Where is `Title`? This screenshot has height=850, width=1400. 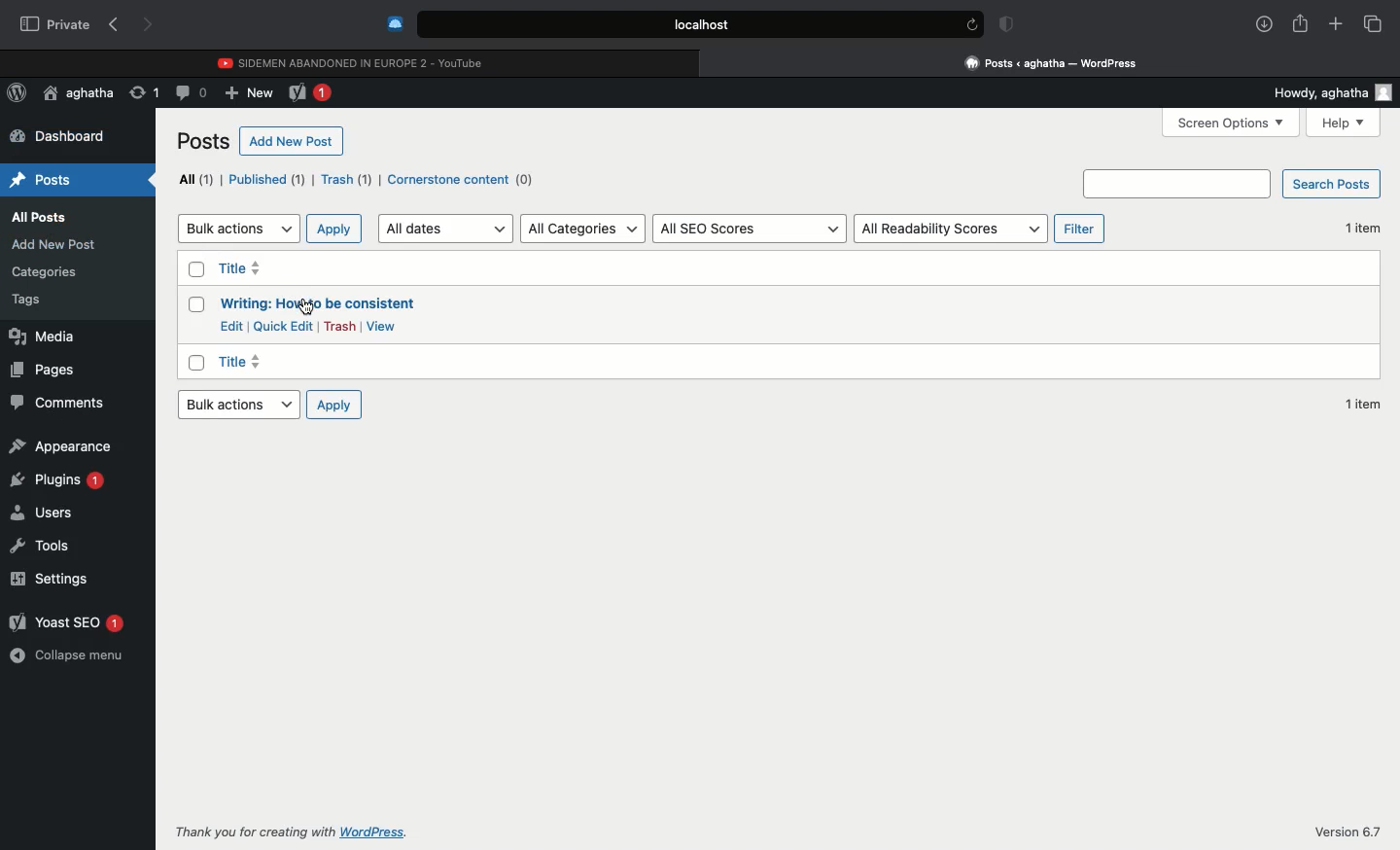
Title is located at coordinates (316, 305).